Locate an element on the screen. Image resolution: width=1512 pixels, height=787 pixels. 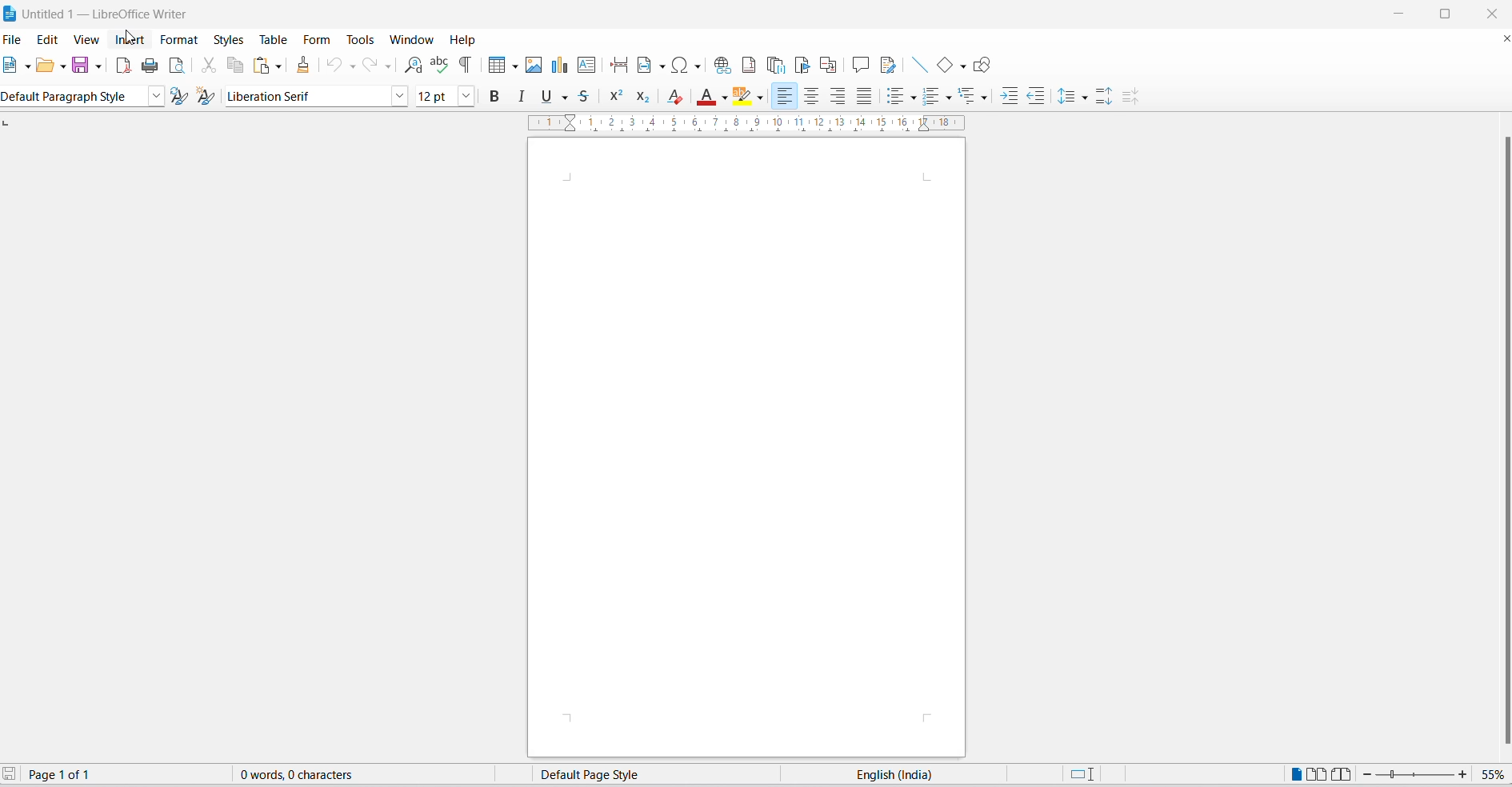
insert footnote is located at coordinates (749, 65).